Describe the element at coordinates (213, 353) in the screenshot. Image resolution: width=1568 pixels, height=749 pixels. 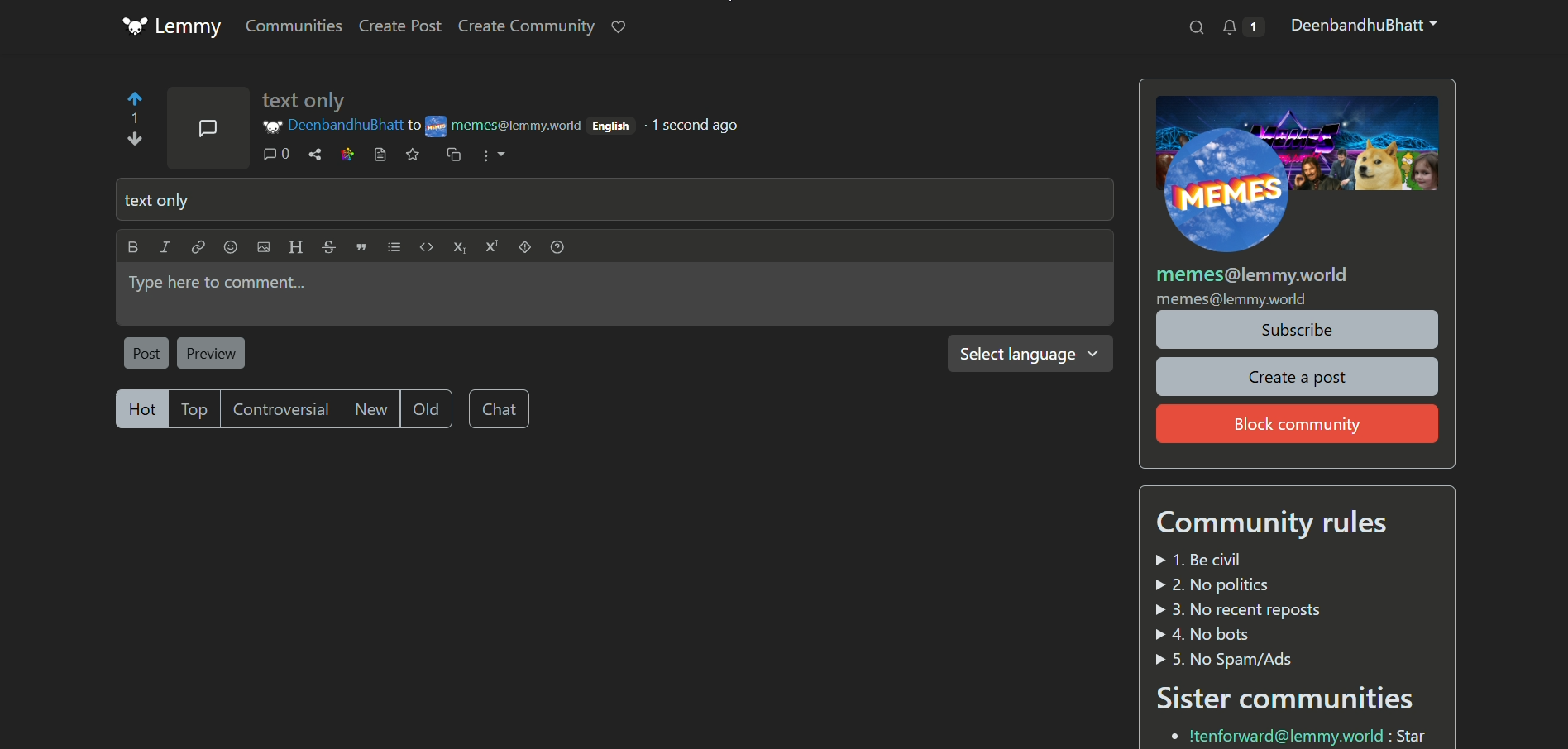
I see `preview` at that location.